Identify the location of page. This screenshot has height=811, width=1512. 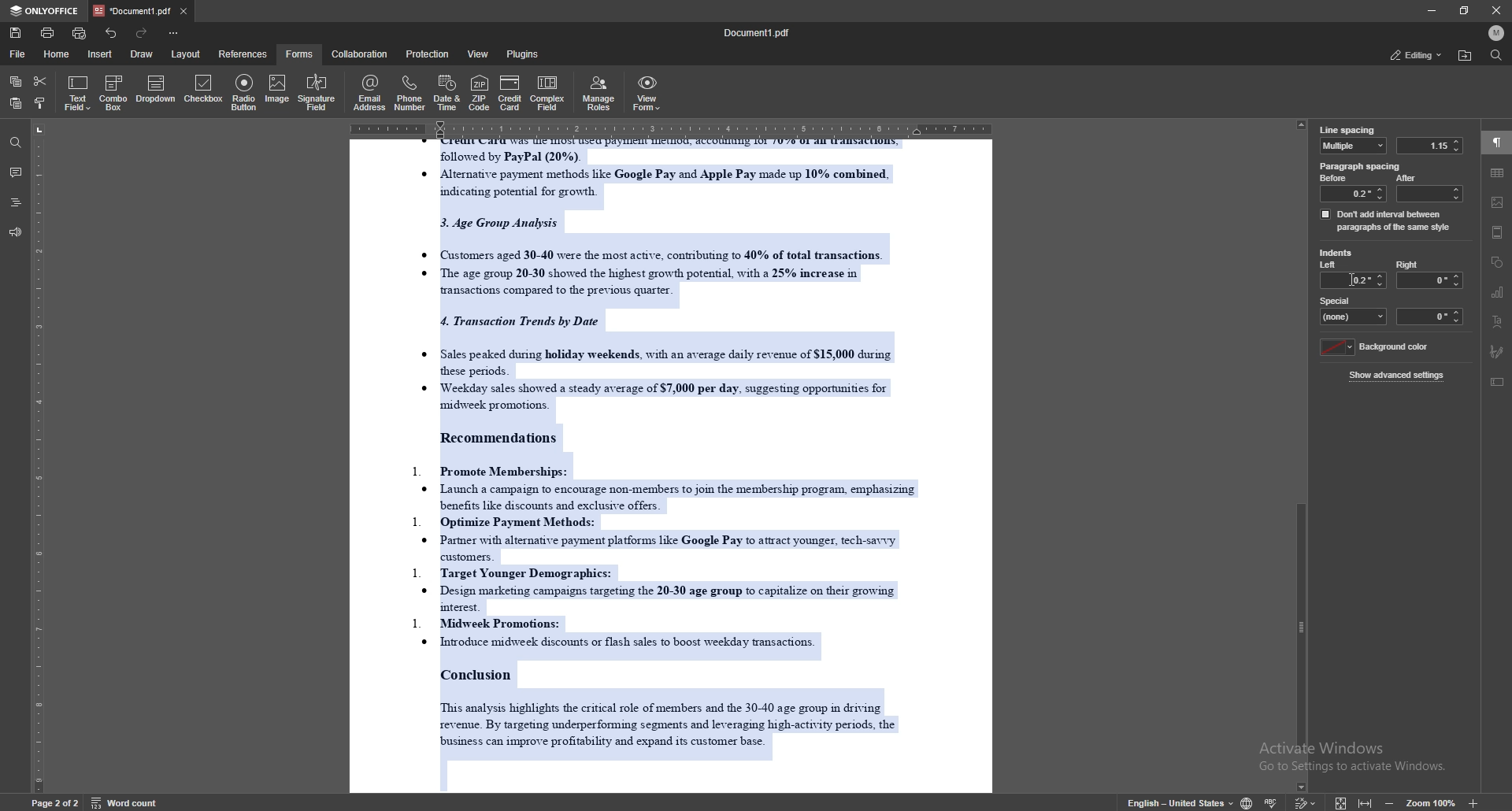
(55, 802).